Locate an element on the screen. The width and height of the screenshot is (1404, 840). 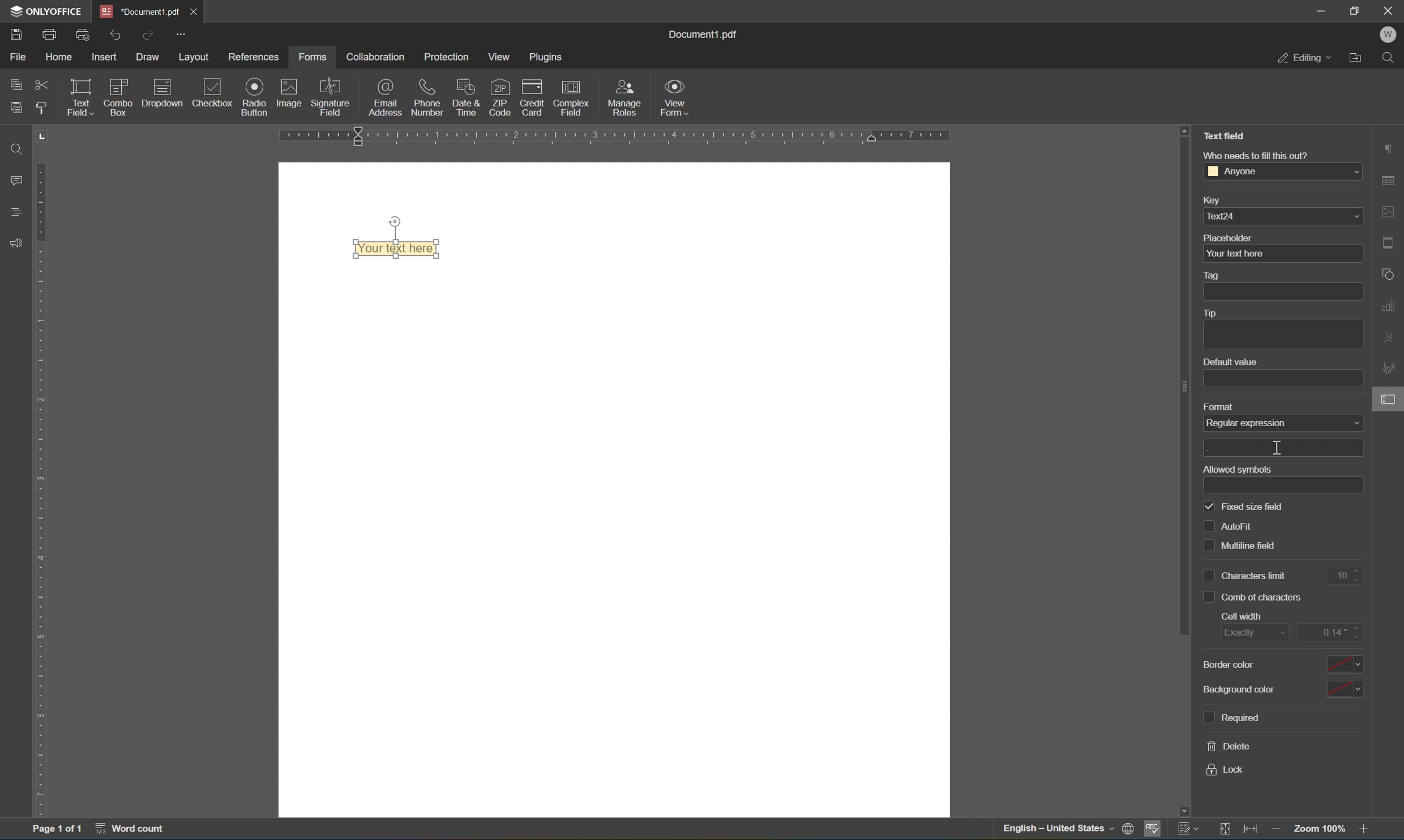
who needs to fill this out? is located at coordinates (1255, 155).